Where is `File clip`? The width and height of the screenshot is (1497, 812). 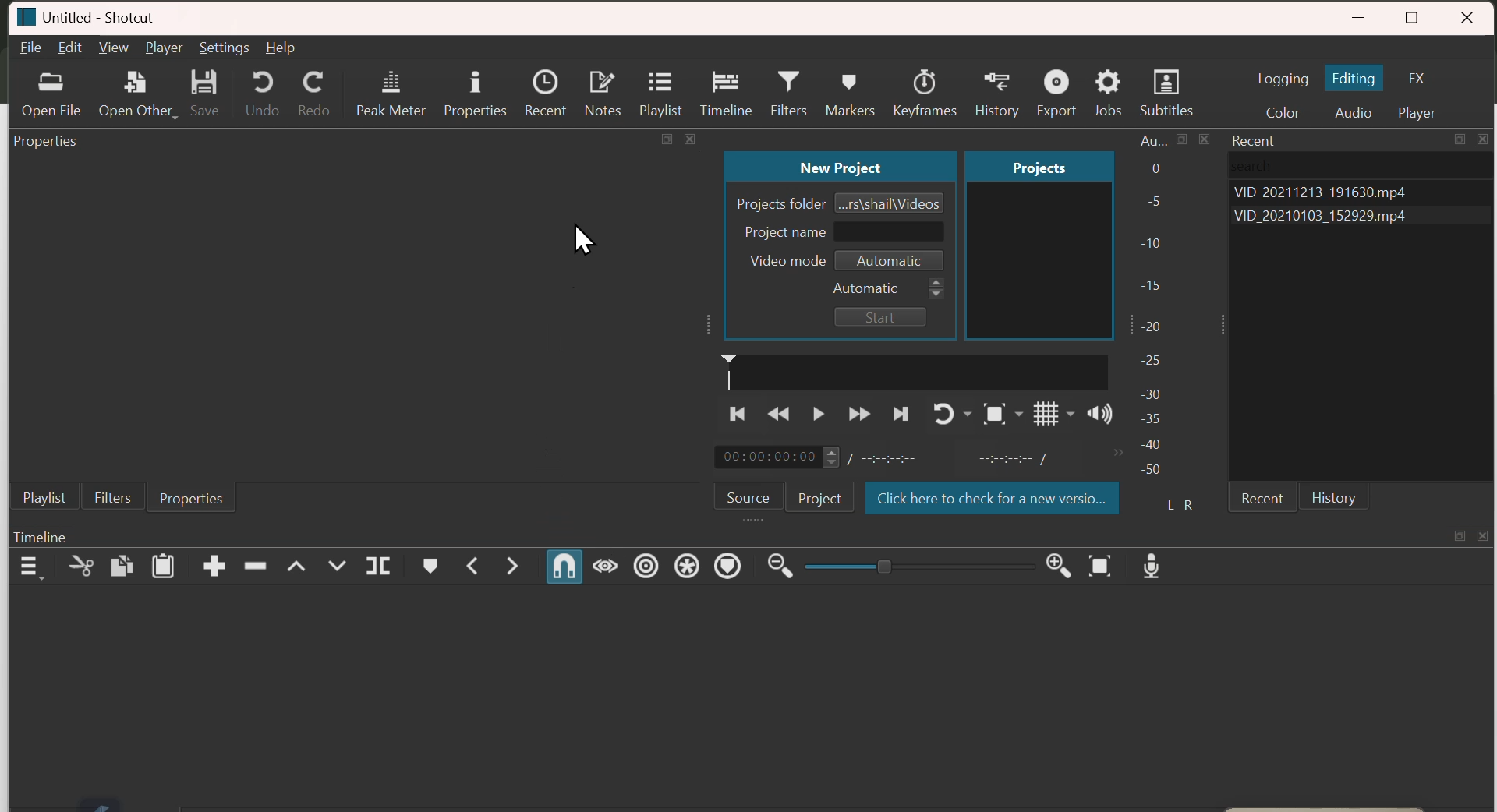
File clip is located at coordinates (1360, 192).